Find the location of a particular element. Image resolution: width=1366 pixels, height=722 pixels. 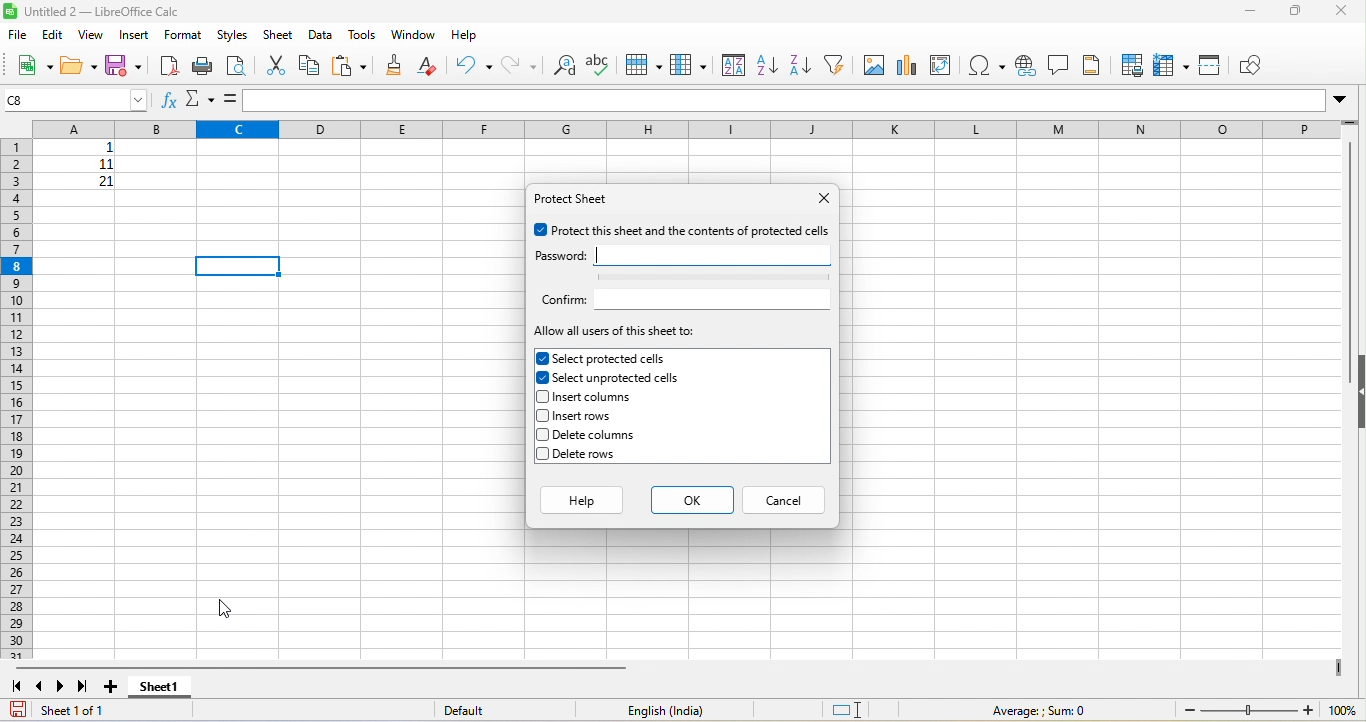

comments is located at coordinates (1059, 64).